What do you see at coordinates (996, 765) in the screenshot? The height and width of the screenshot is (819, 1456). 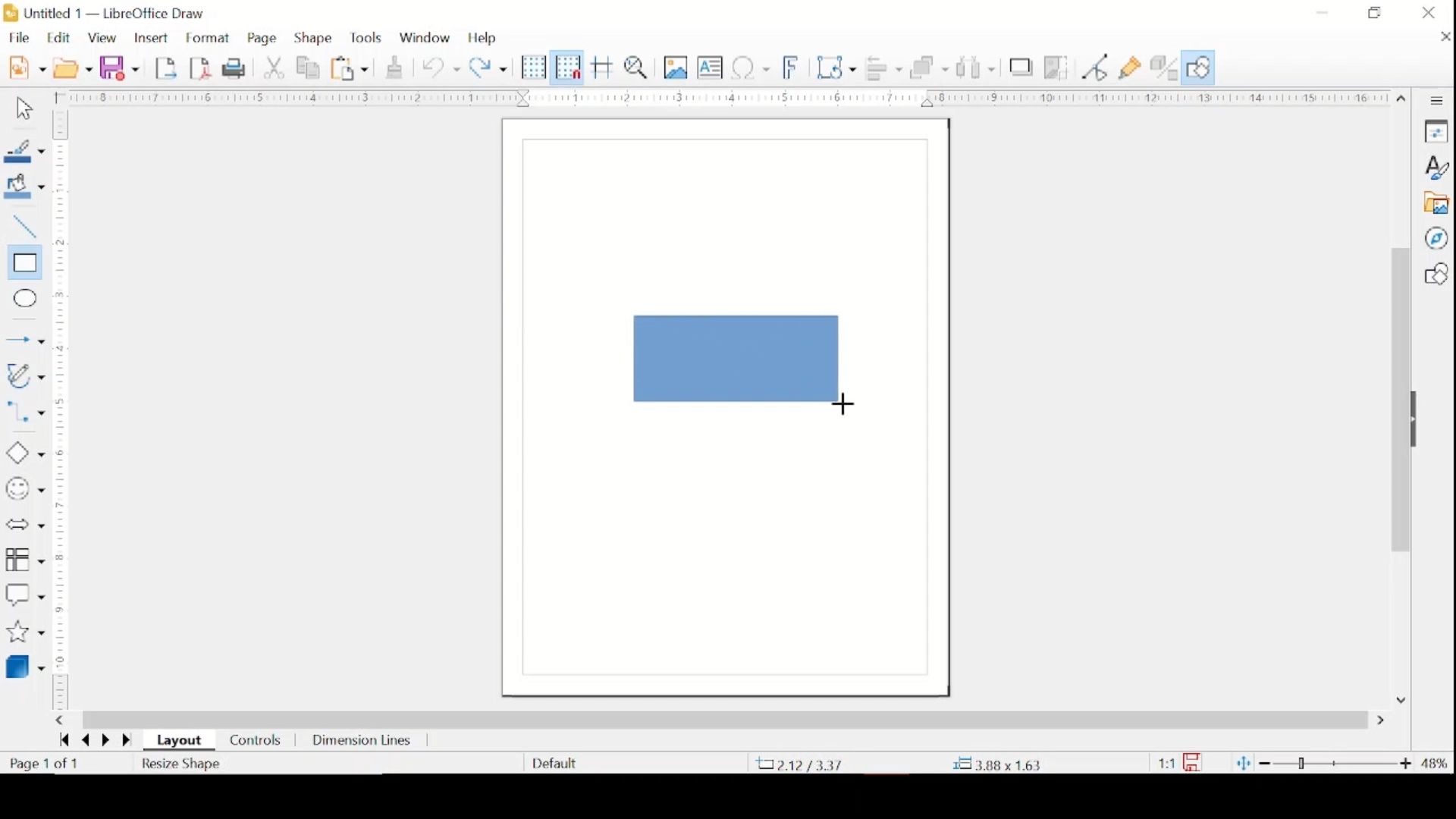 I see `3.88x1.63` at bounding box center [996, 765].